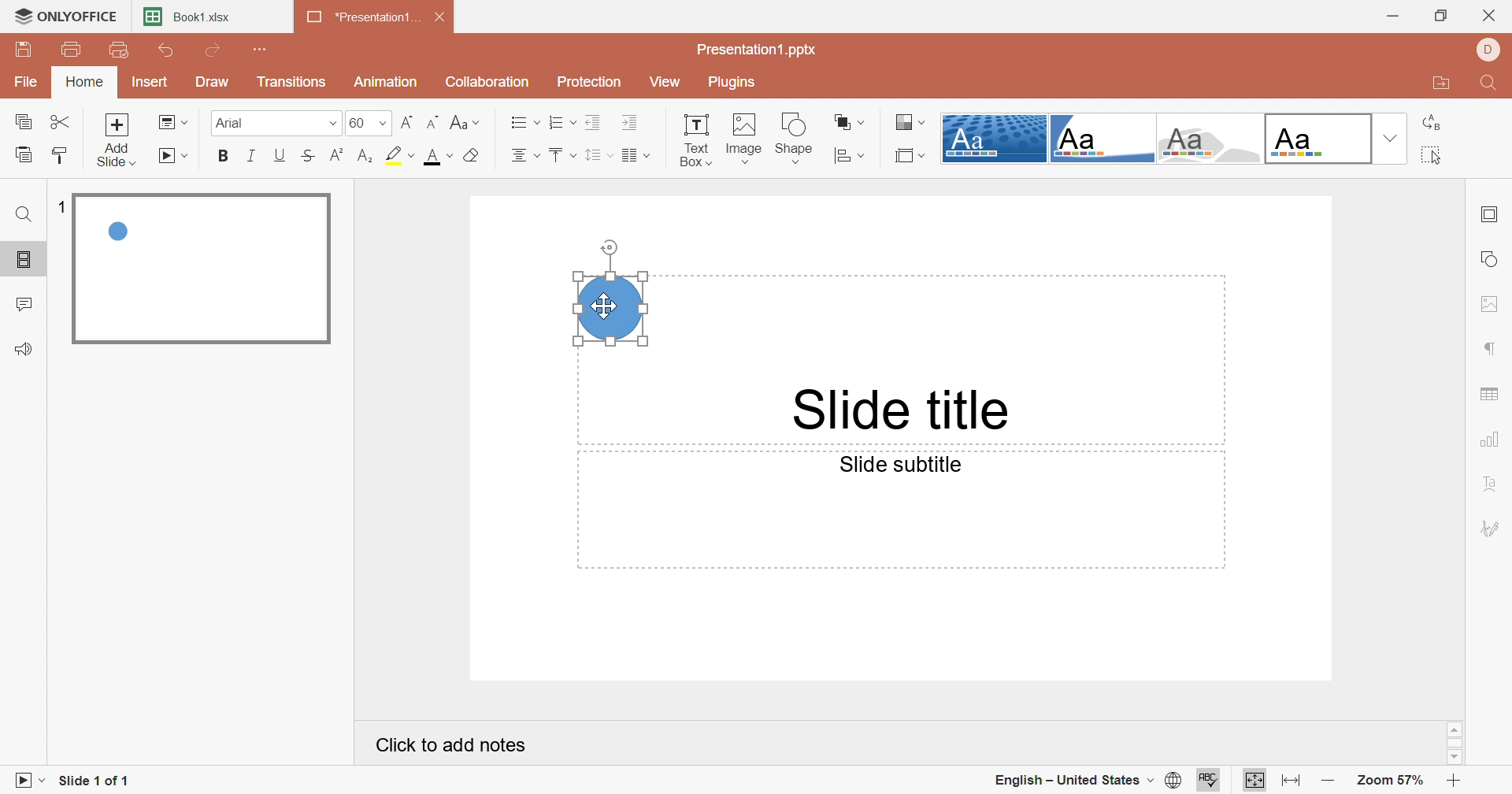 The image size is (1512, 794). I want to click on Fit to width, so click(1291, 783).